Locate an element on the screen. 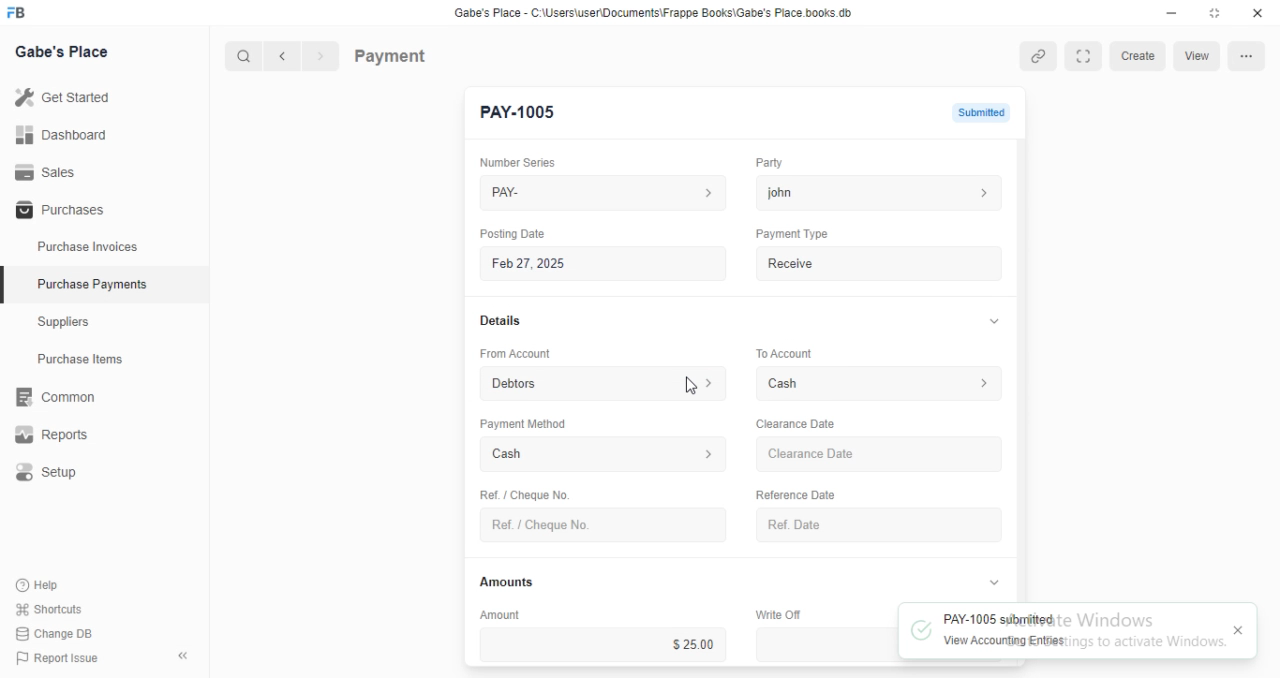  expand/collapse is located at coordinates (990, 322).